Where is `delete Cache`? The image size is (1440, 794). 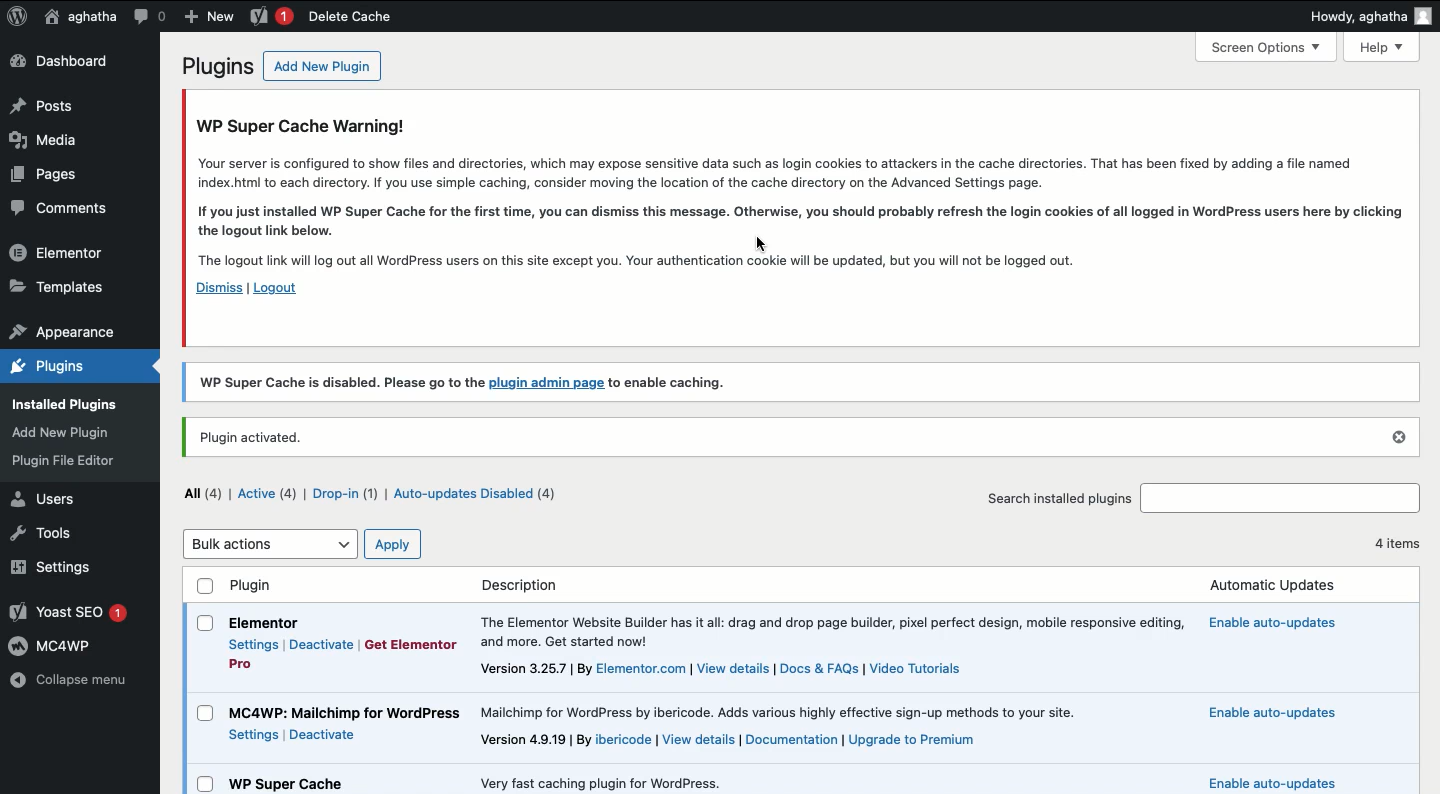 delete Cache is located at coordinates (364, 17).